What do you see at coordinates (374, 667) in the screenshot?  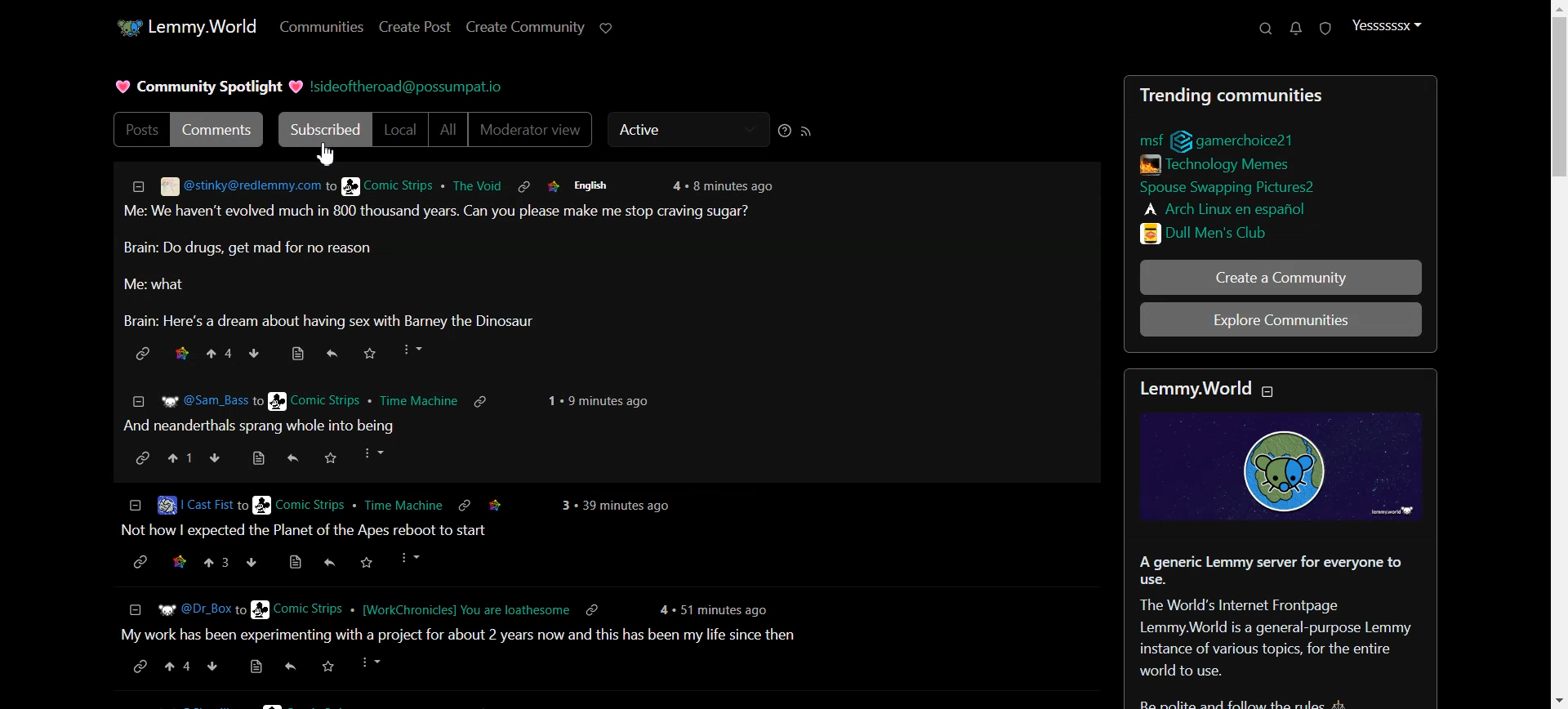 I see `more` at bounding box center [374, 667].